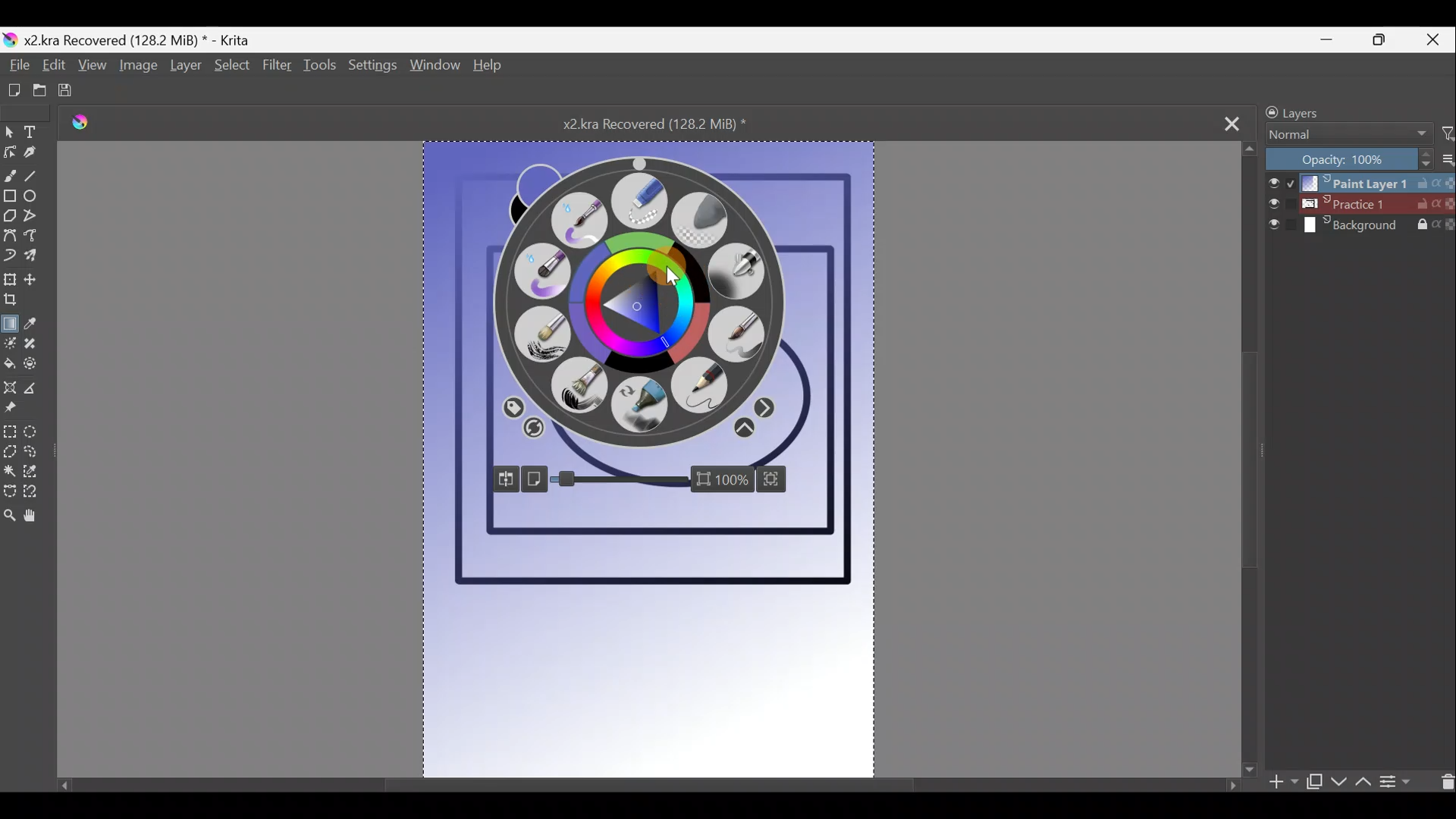  Describe the element at coordinates (9, 434) in the screenshot. I see `Rectangular selection tool` at that location.